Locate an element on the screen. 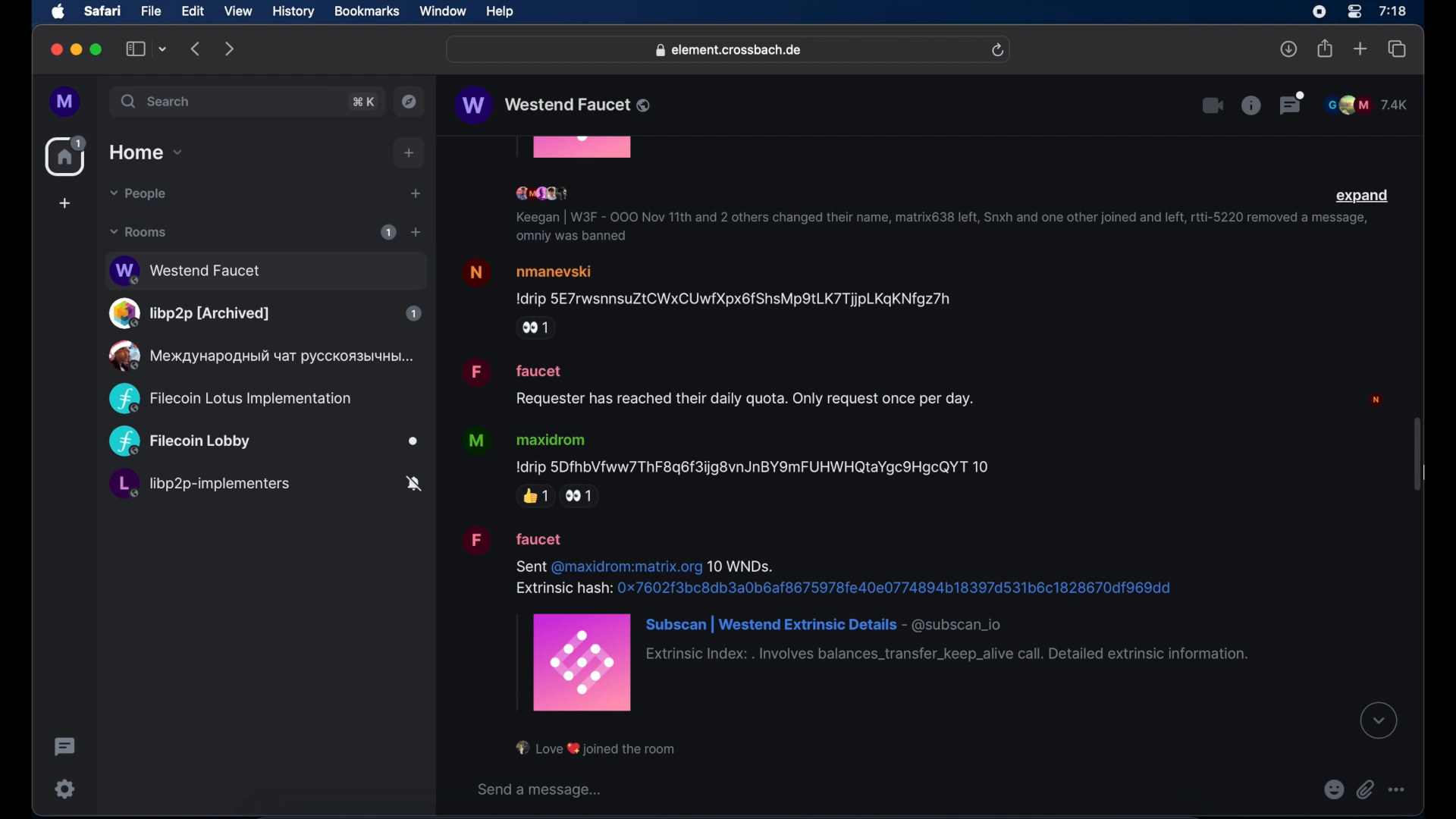 The image size is (1456, 819). see latest message is located at coordinates (1379, 721).